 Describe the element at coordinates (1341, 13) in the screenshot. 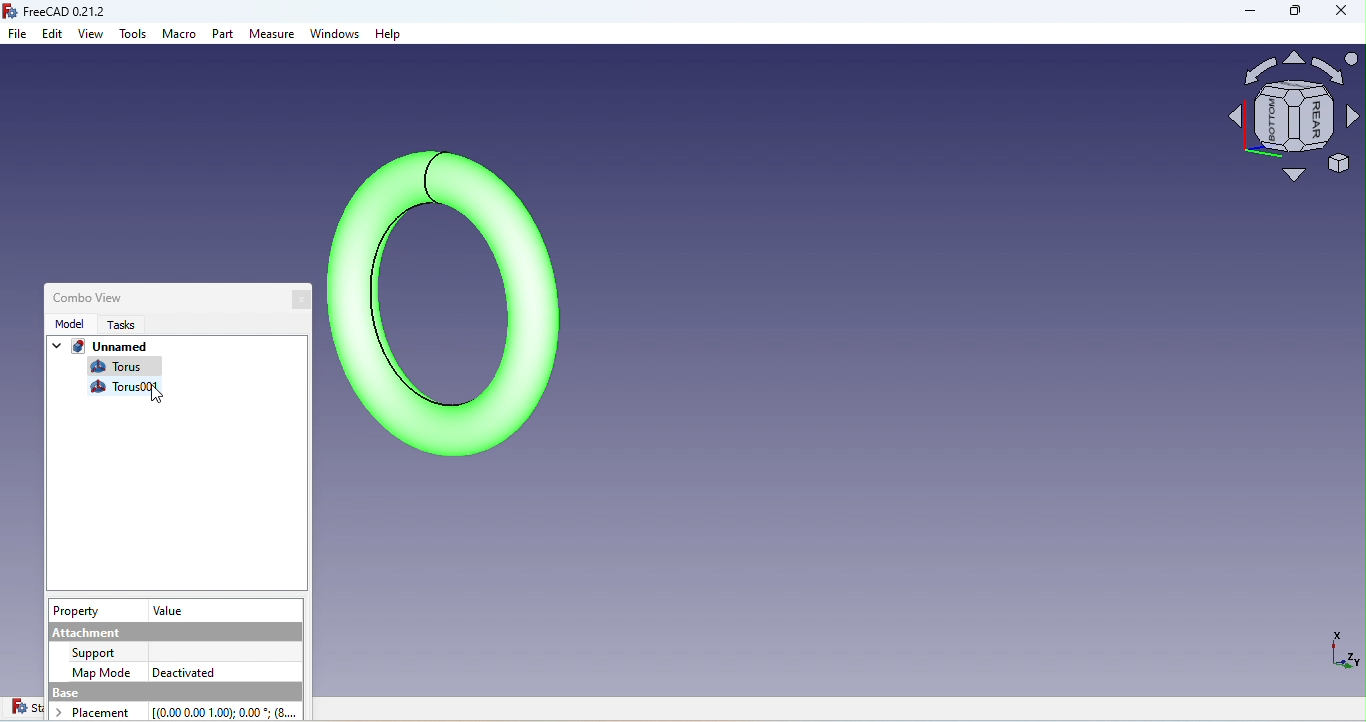

I see `Close` at that location.